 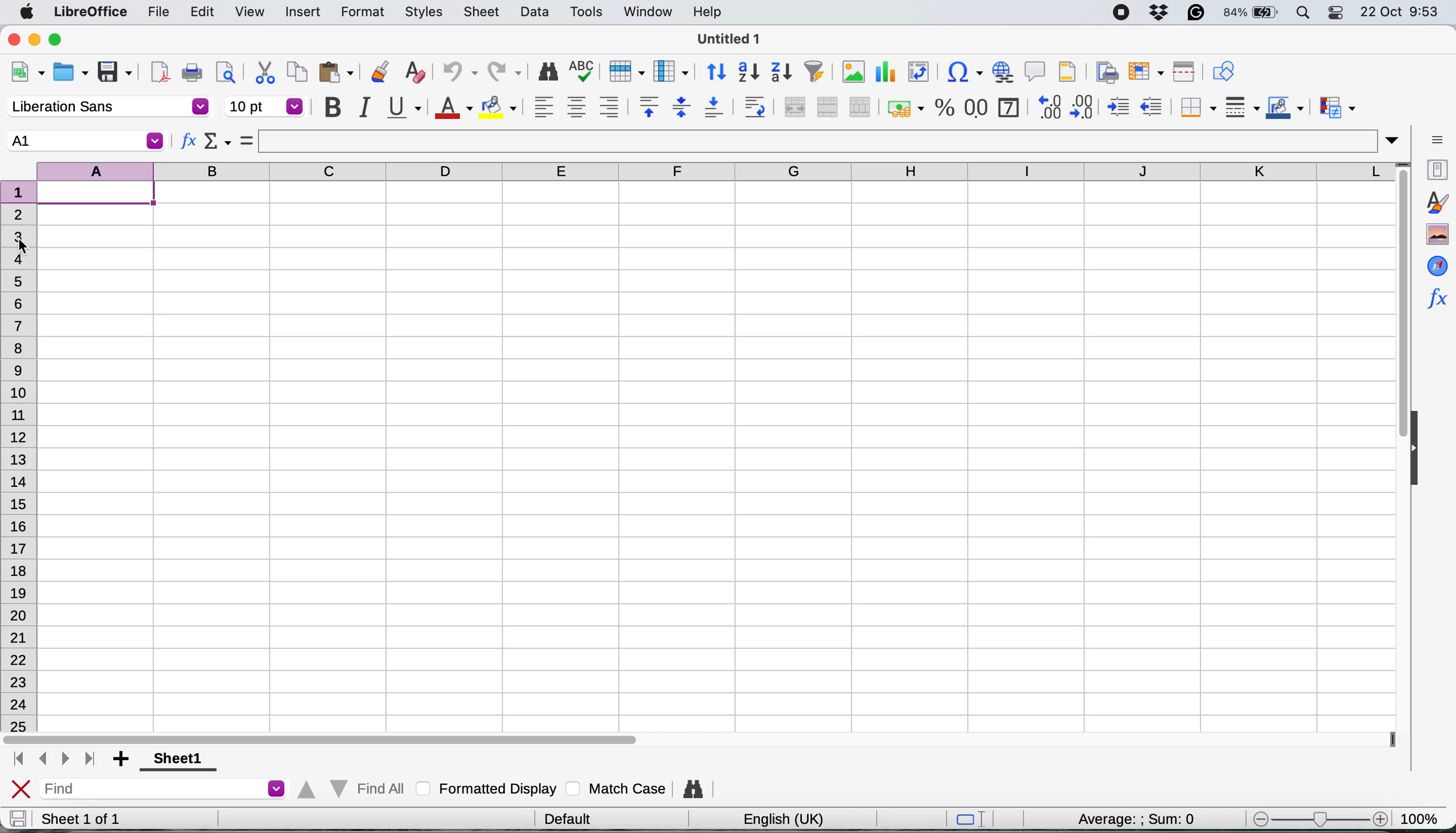 I want to click on align bottom, so click(x=715, y=107).